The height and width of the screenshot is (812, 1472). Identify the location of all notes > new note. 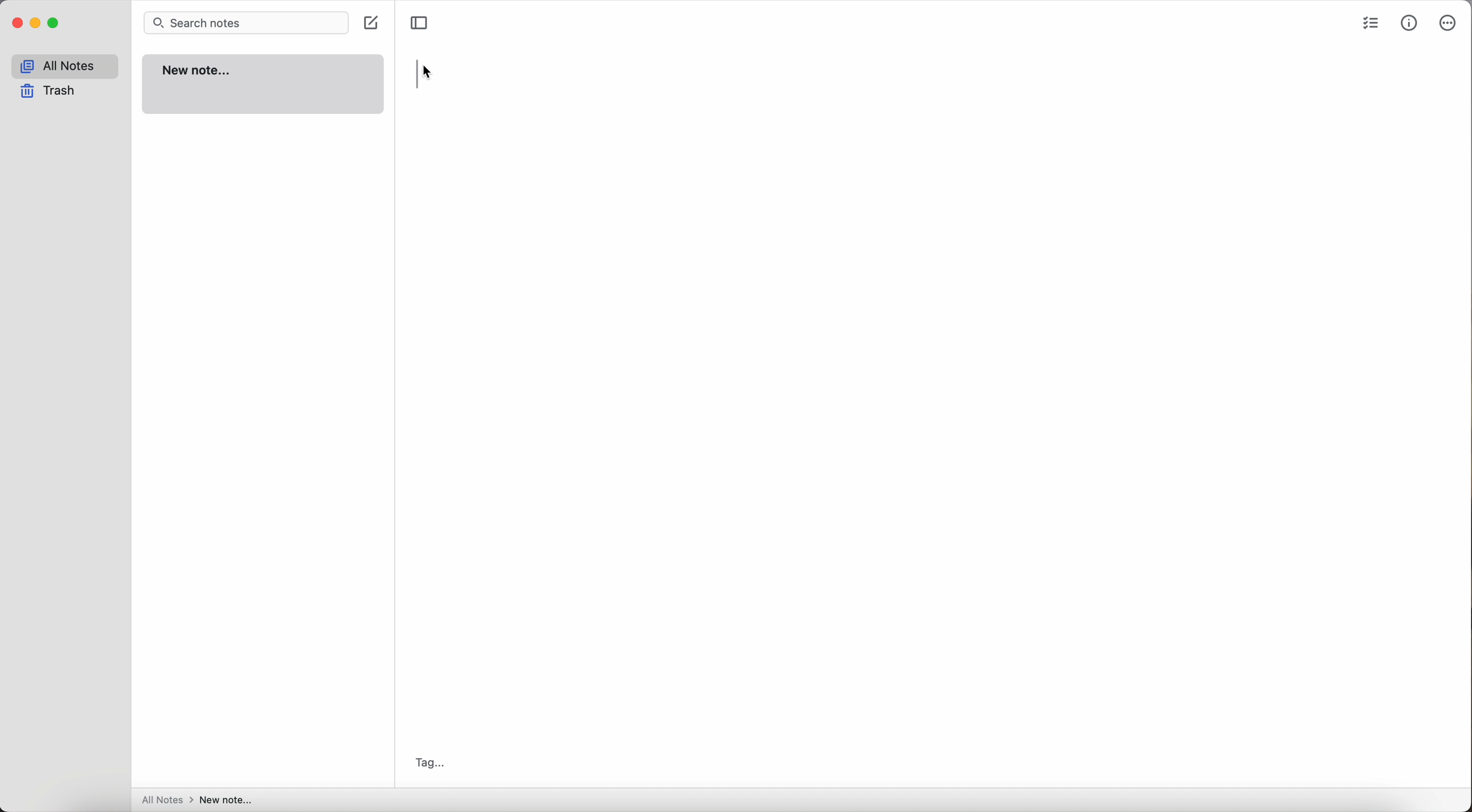
(197, 801).